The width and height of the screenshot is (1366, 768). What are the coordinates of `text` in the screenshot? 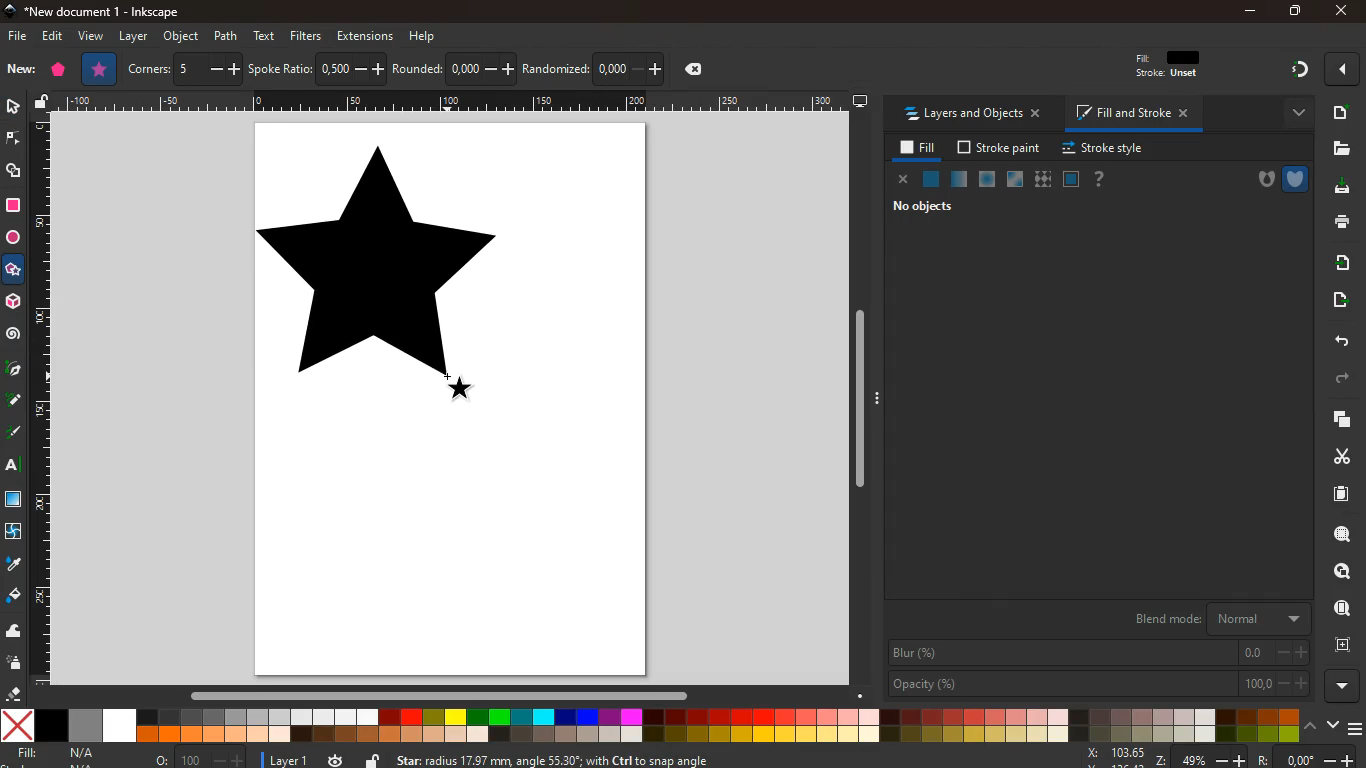 It's located at (14, 464).